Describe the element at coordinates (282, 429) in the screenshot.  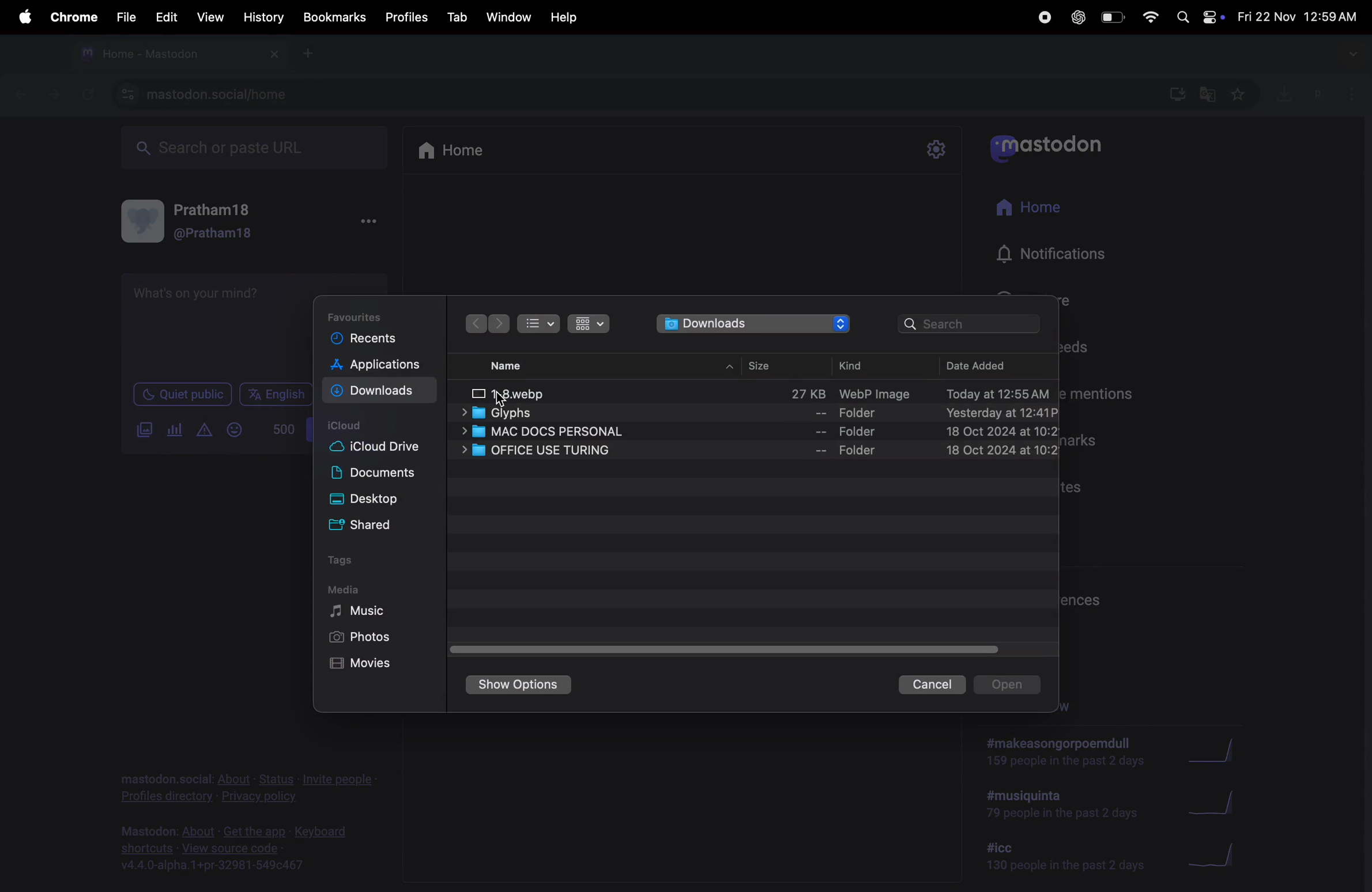
I see `500` at that location.